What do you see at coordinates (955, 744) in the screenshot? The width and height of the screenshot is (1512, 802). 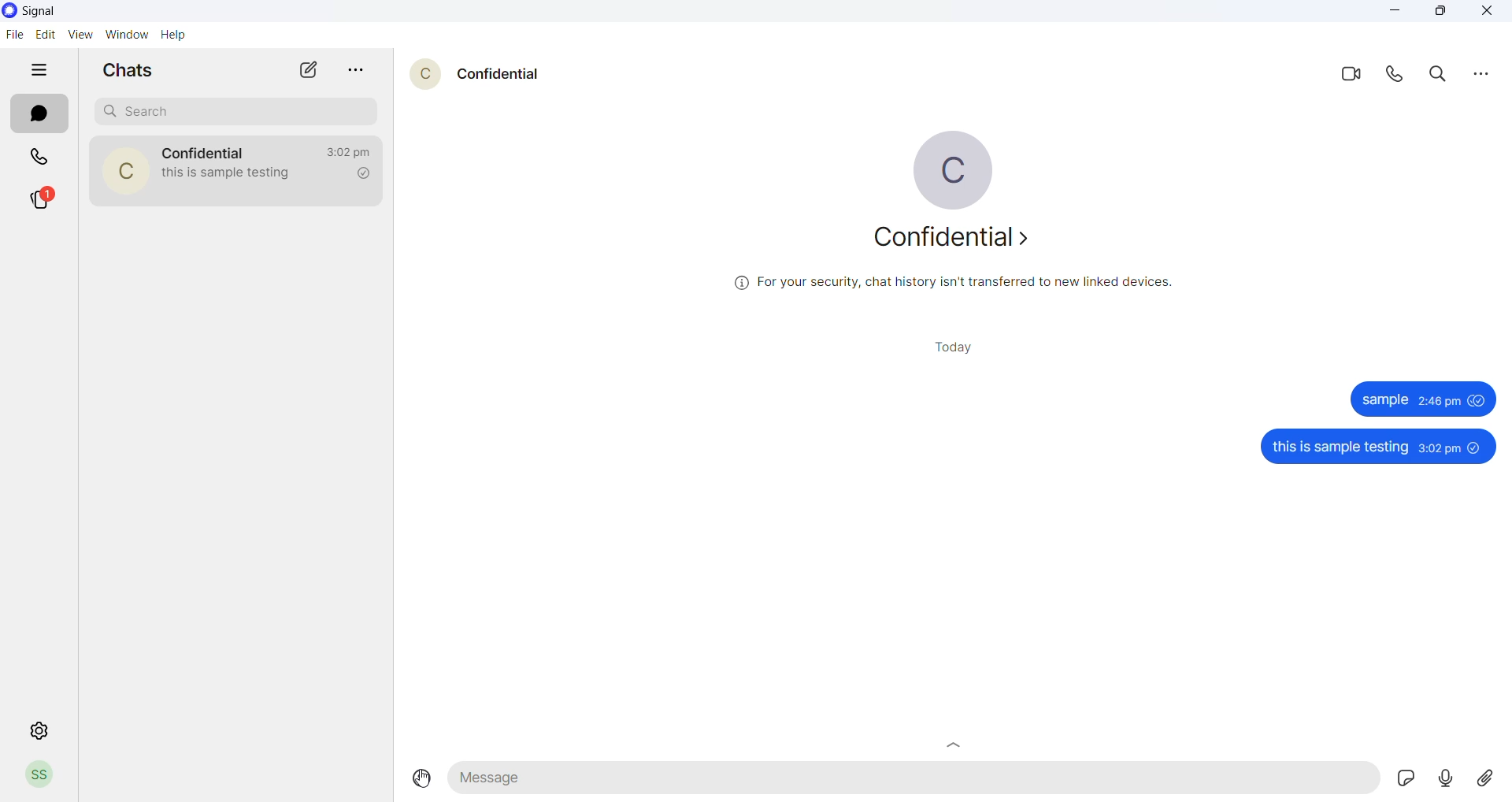 I see `Scroll up` at bounding box center [955, 744].